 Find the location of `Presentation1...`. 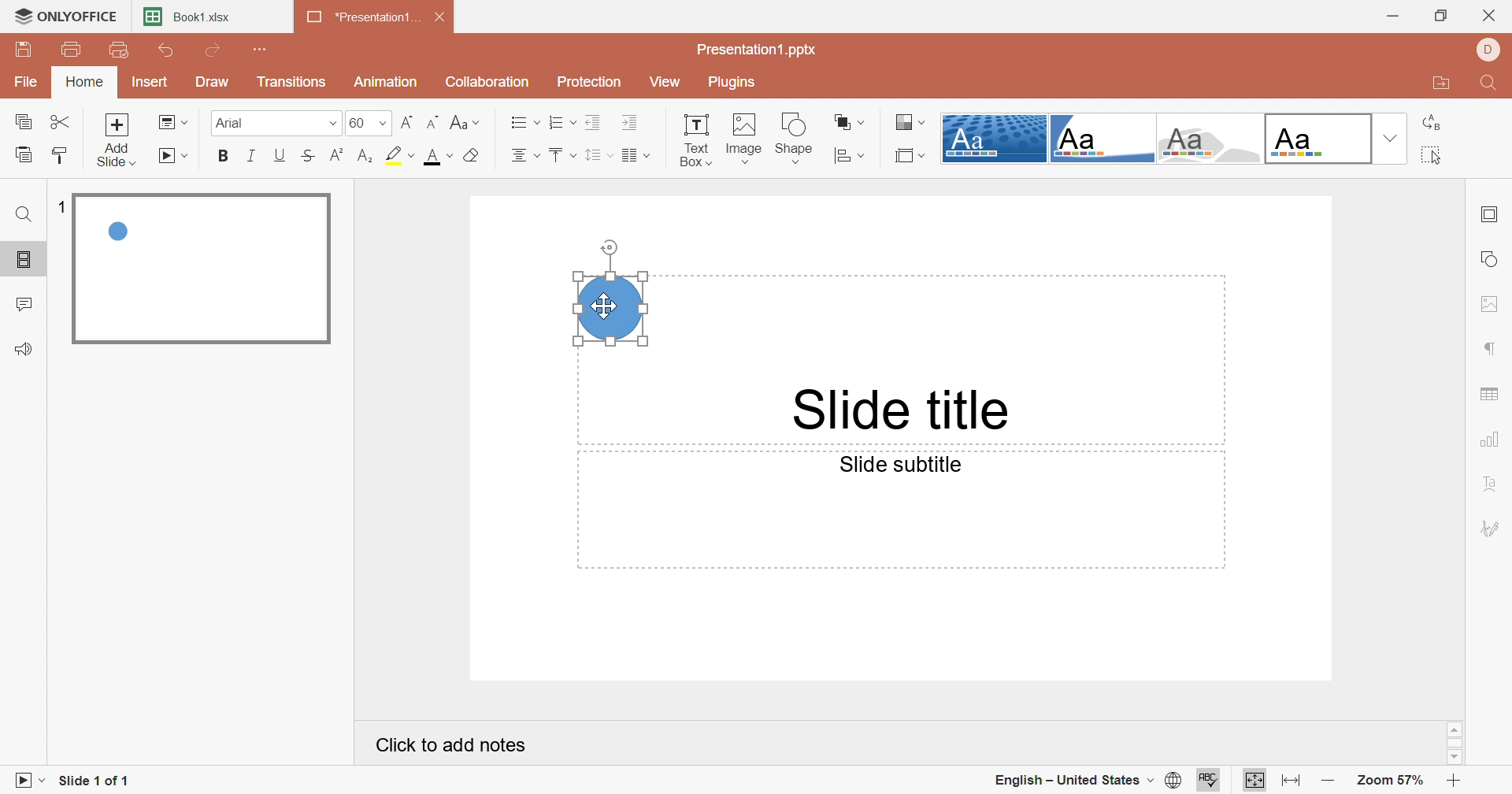

Presentation1... is located at coordinates (363, 17).